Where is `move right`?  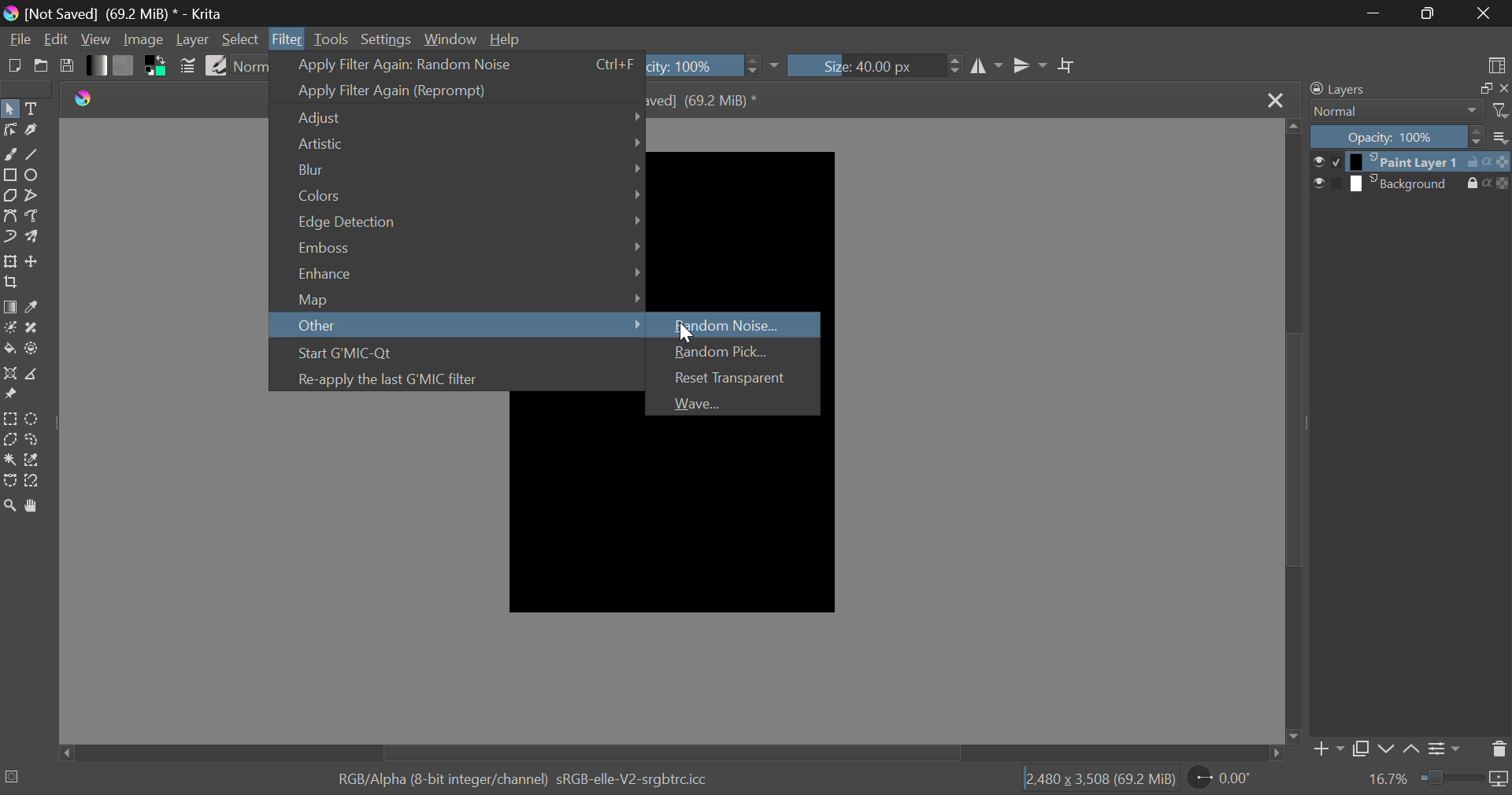
move right is located at coordinates (1273, 751).